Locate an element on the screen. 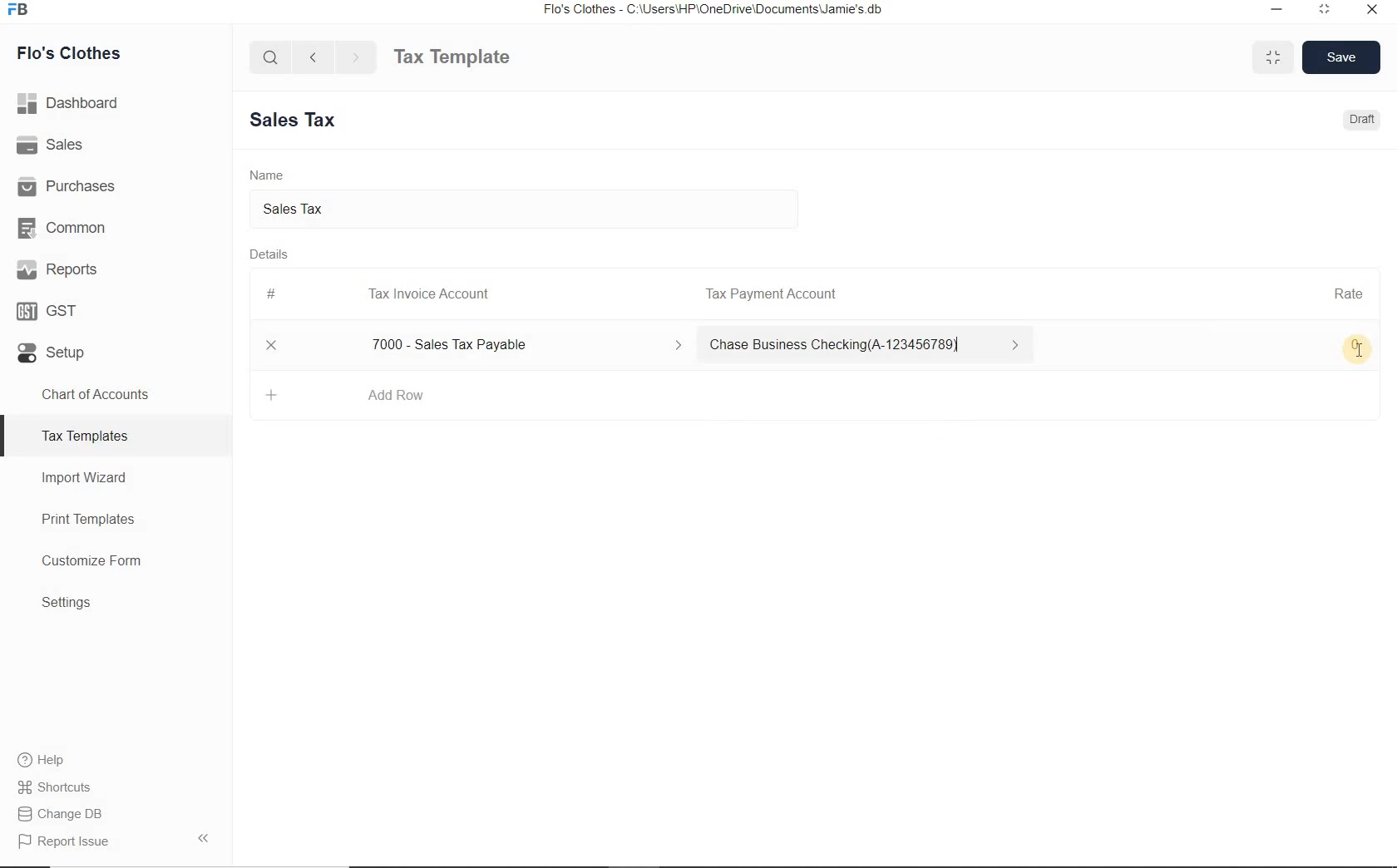  Save is located at coordinates (1342, 57).